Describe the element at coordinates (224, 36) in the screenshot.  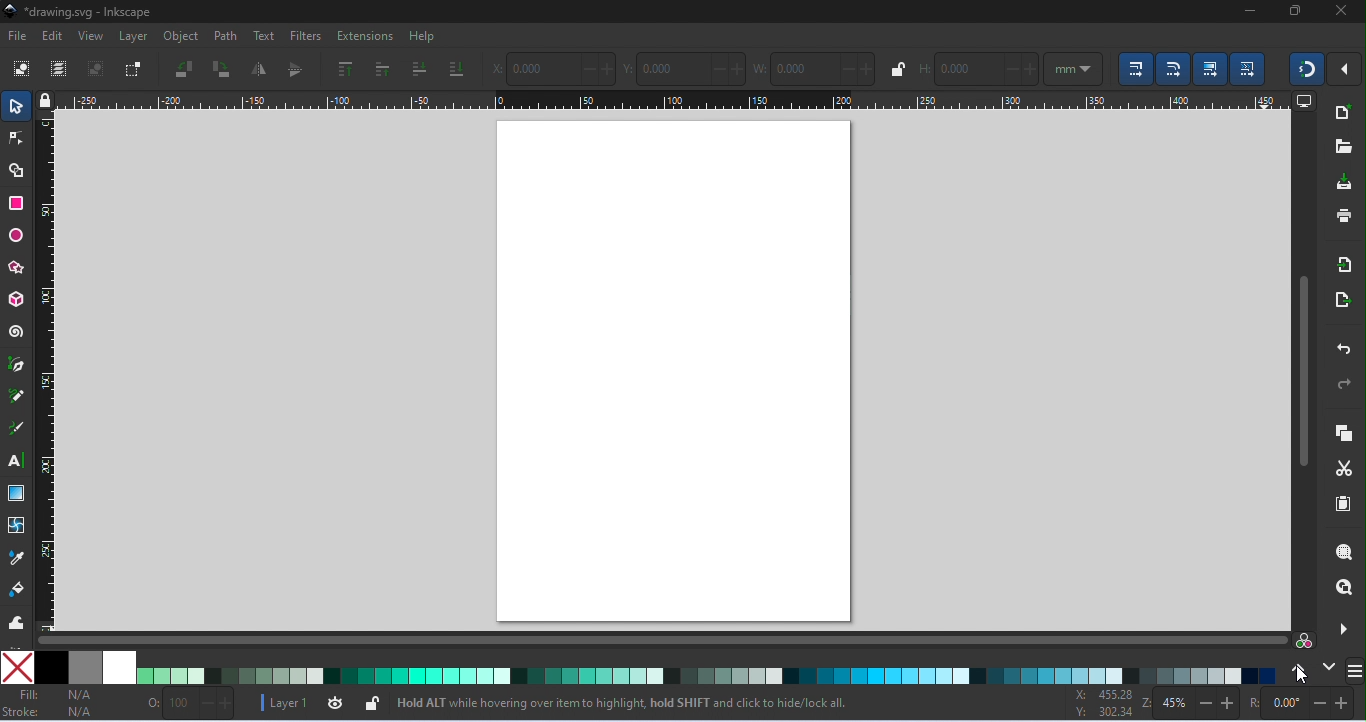
I see `path` at that location.